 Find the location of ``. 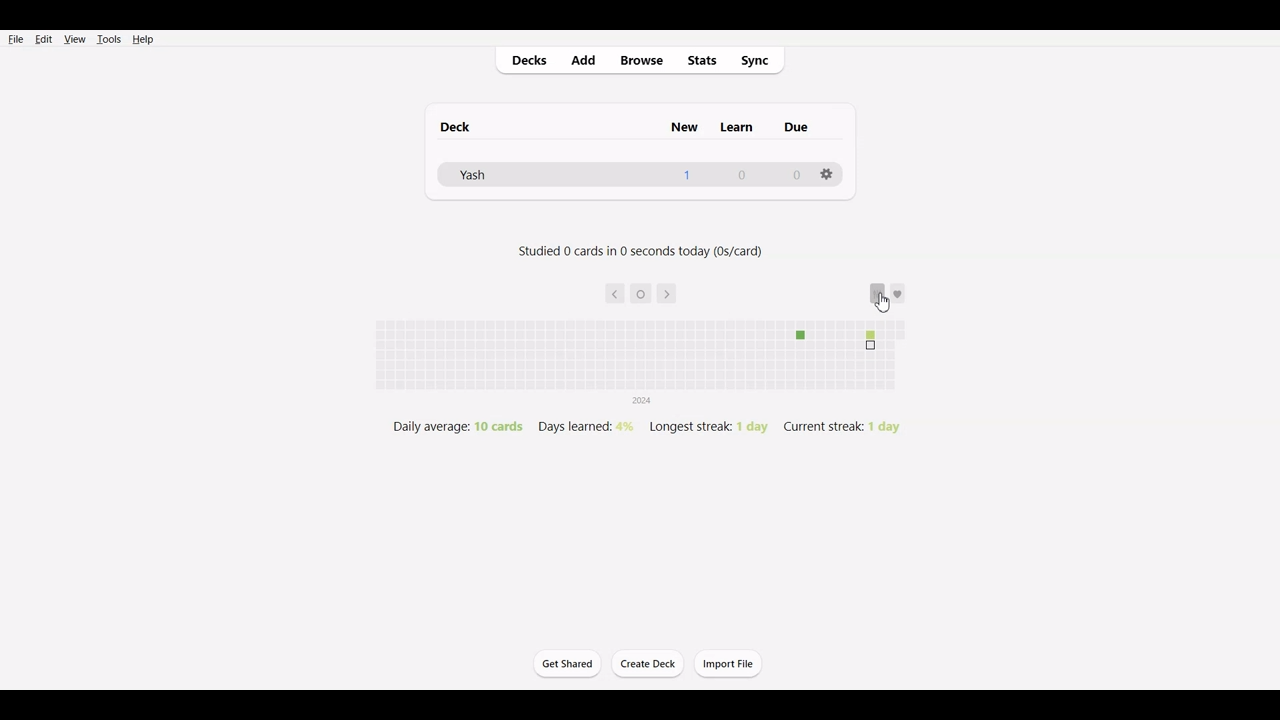

 is located at coordinates (742, 117).